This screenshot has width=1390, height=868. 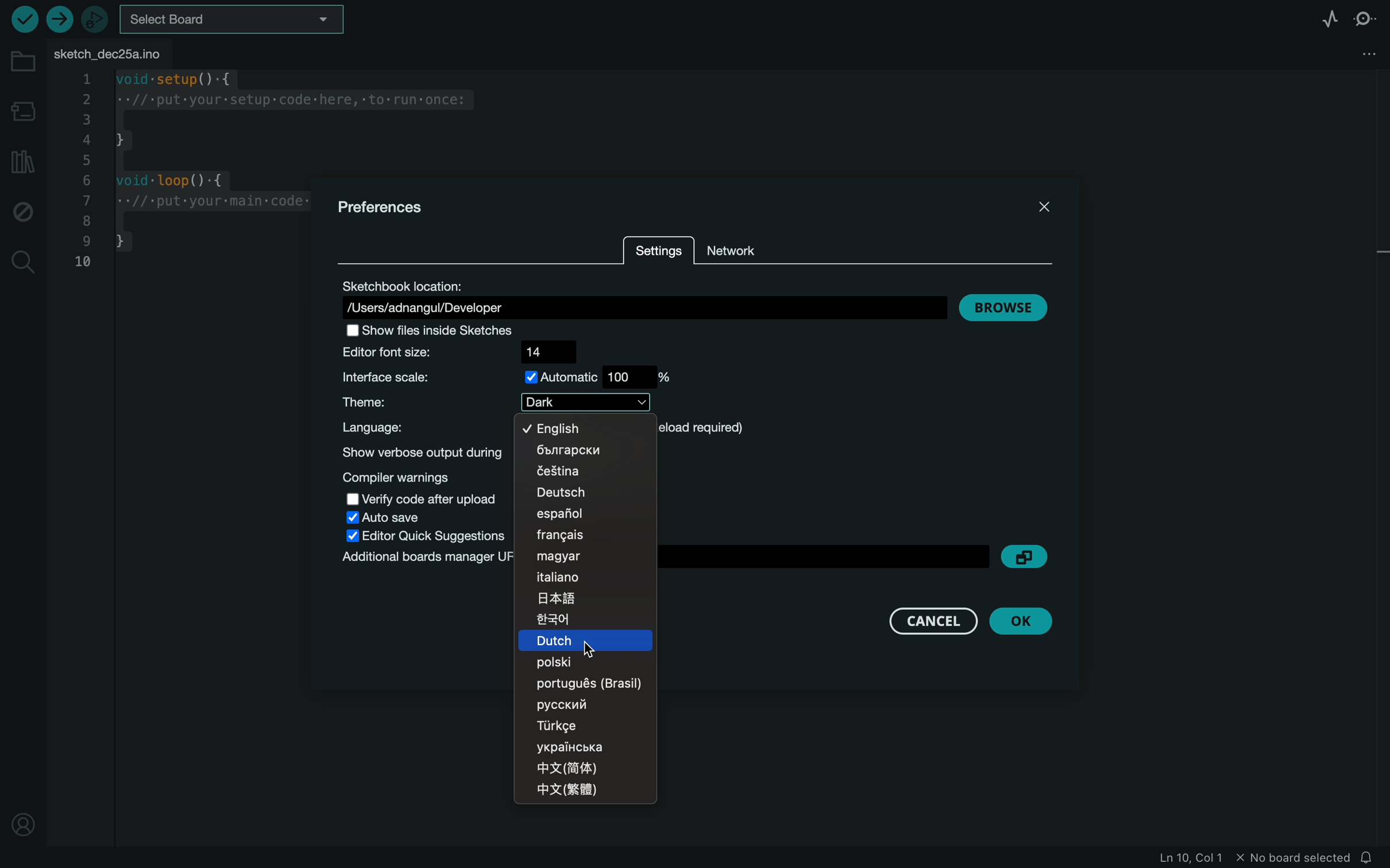 What do you see at coordinates (439, 330) in the screenshot?
I see `show   files` at bounding box center [439, 330].